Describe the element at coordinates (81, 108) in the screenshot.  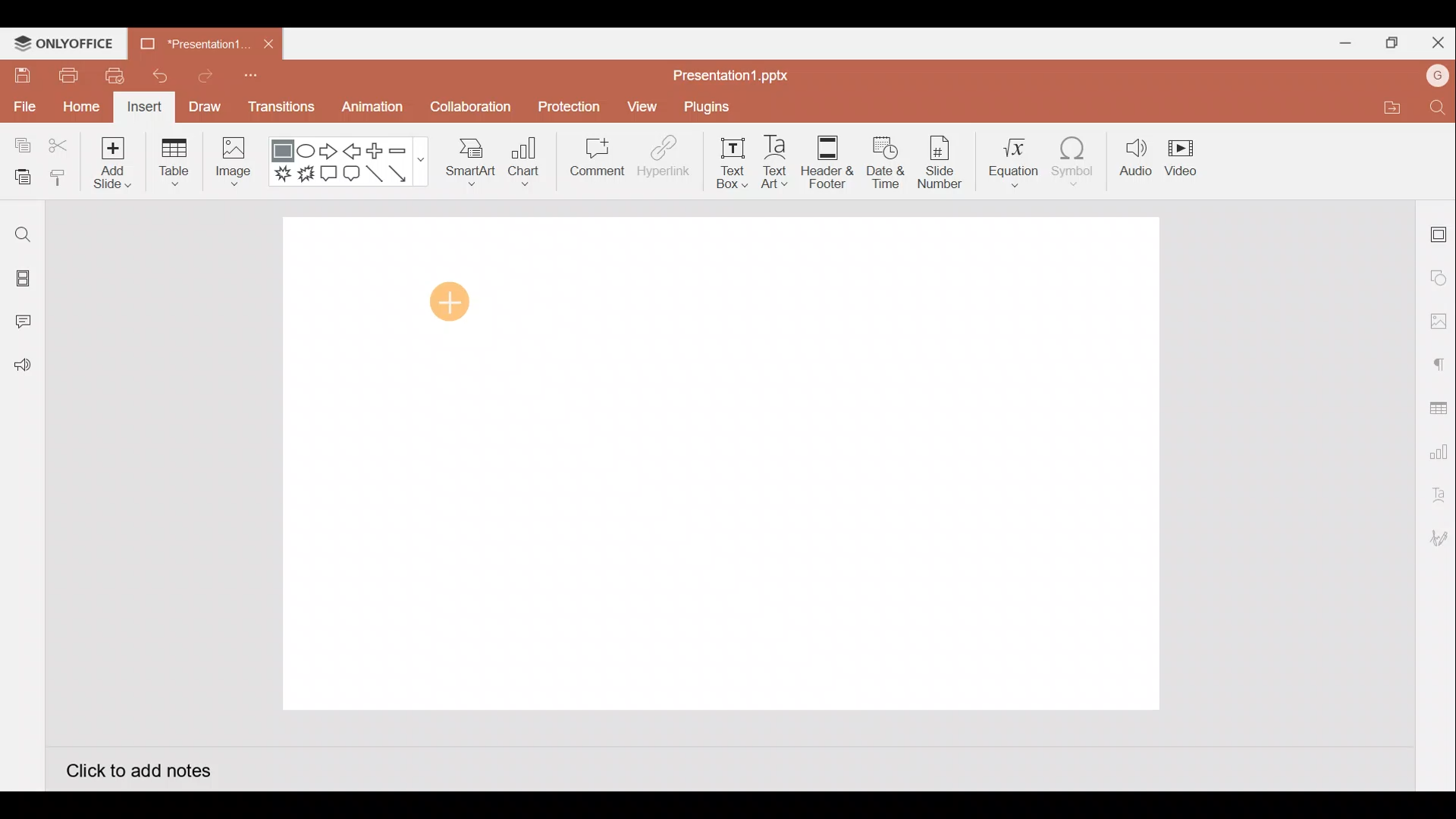
I see `Home` at that location.